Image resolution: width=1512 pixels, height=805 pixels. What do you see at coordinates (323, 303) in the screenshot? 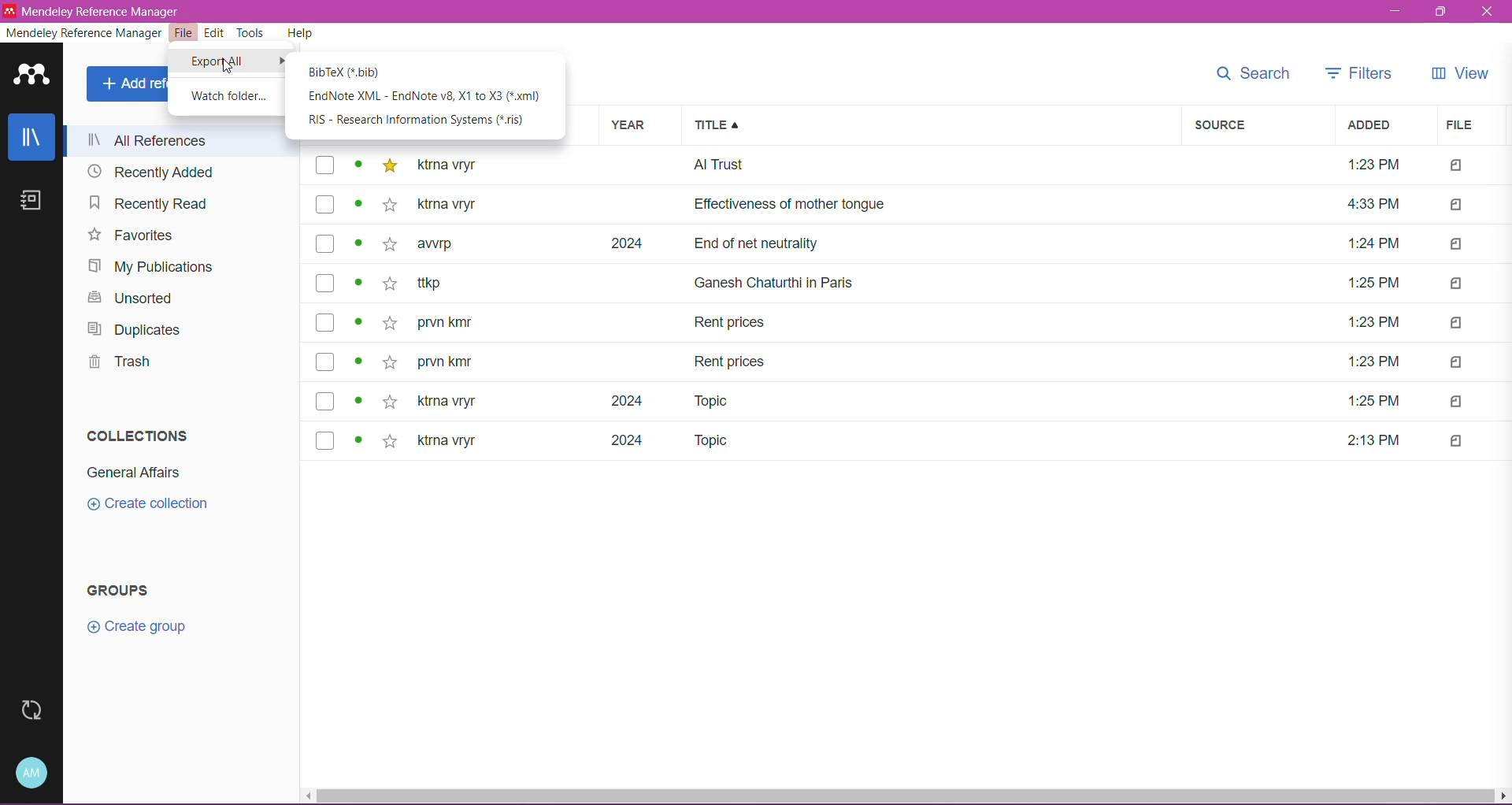
I see `Click to select Items` at bounding box center [323, 303].